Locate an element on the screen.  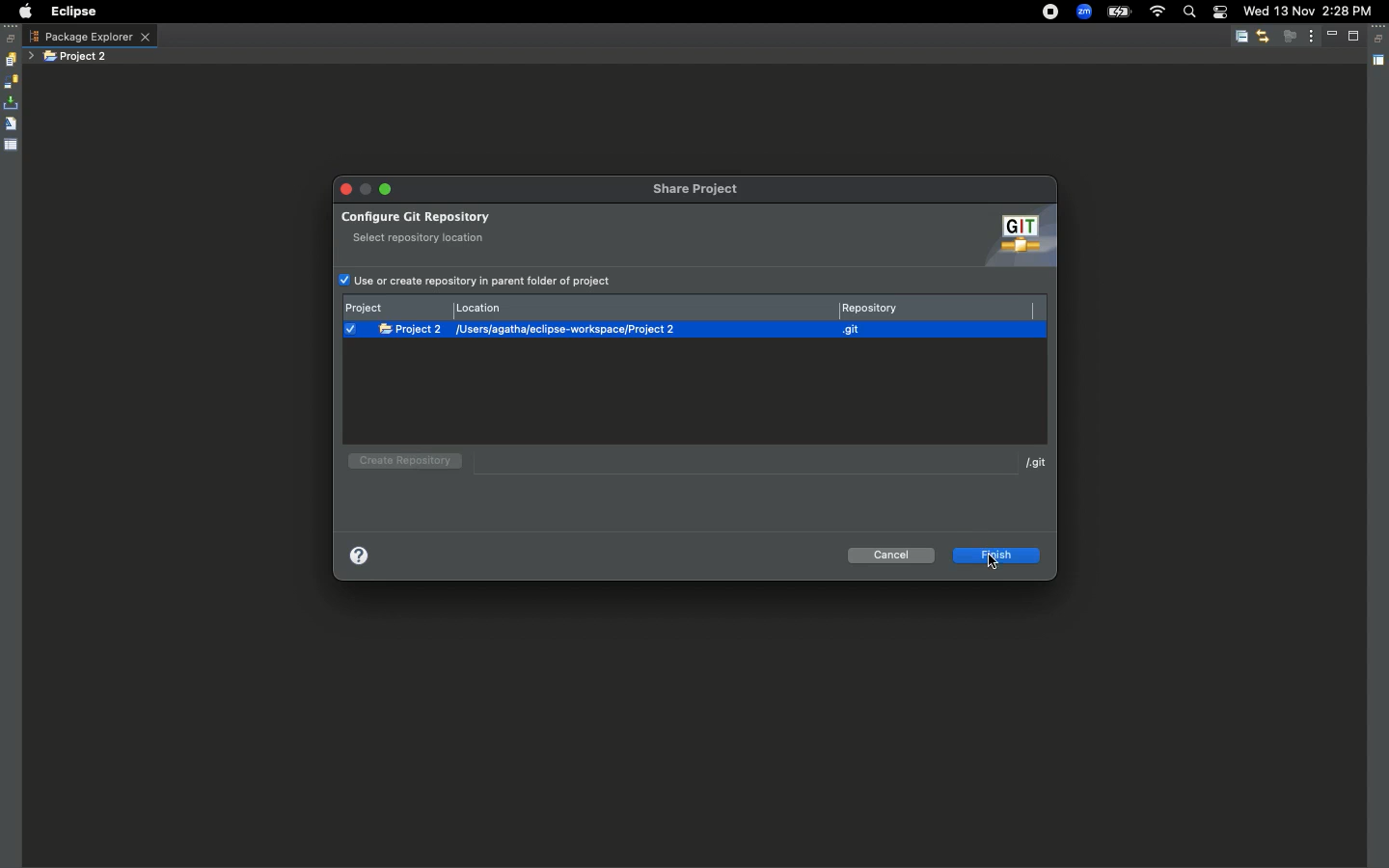
Eclipse is located at coordinates (72, 12).